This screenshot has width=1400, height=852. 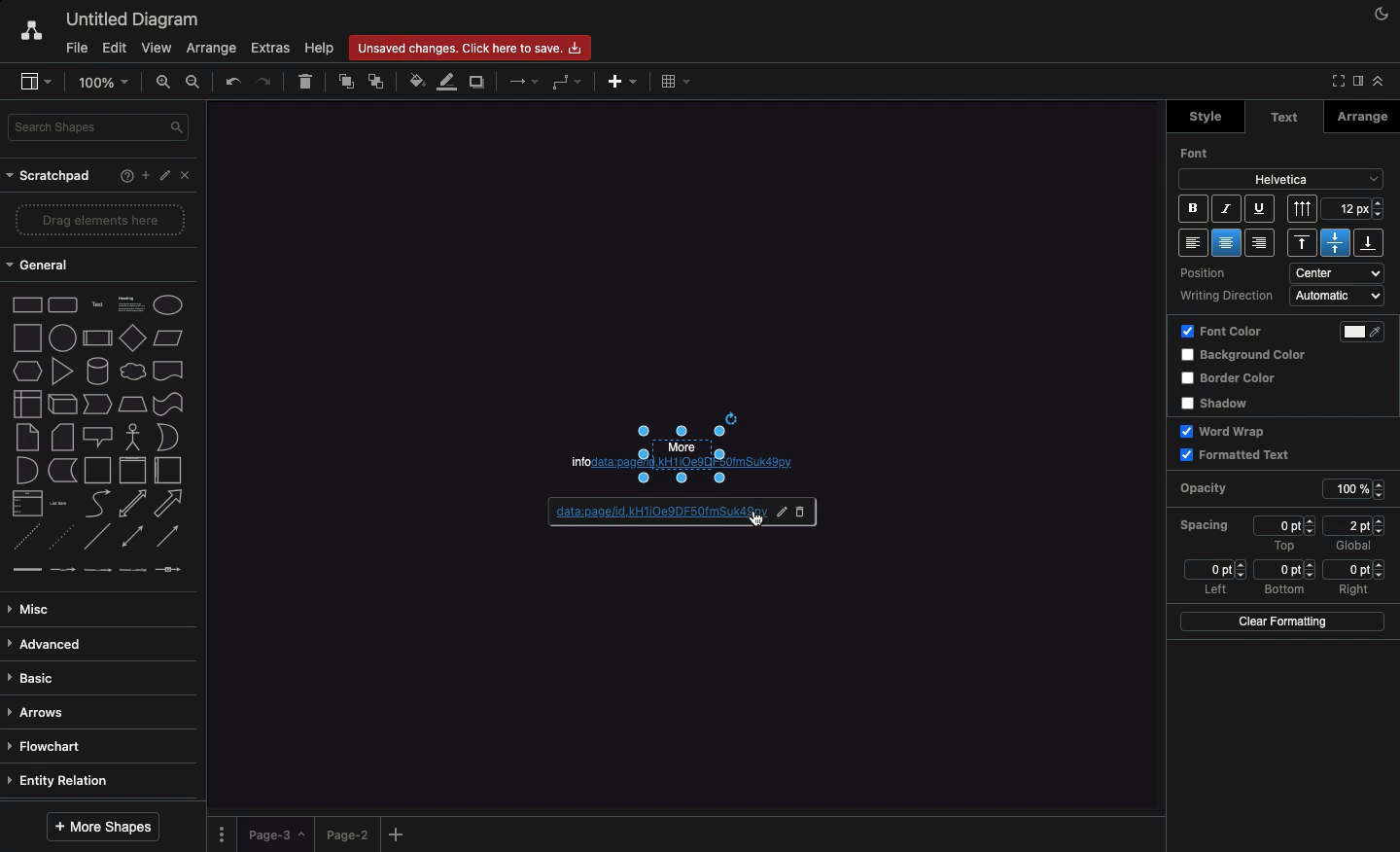 What do you see at coordinates (1227, 209) in the screenshot?
I see `Italic` at bounding box center [1227, 209].